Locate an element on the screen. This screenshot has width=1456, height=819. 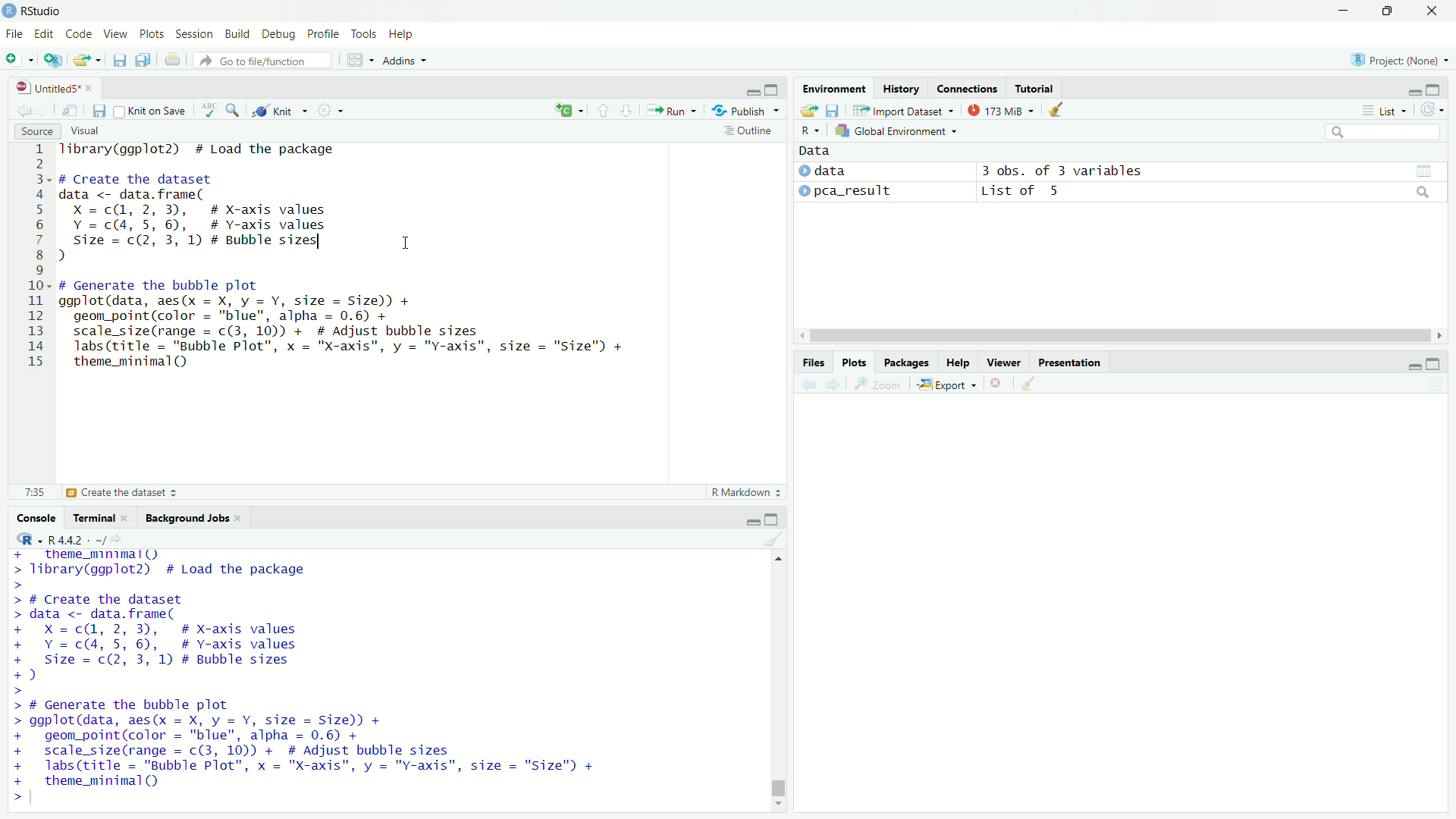
Tibrary(ggplot2) # Load the package

# Create the dataset

data <- data. frame(
X =c(@, 2, 3), # X-axis values
Y = c(4, 5, 6), # Y-axis values
size = c(2, 3, 1) # Bubble sizes

)

# Generate the bubble plot

ggplot(data, aes(x = X, y = Y, size = Size)) +
geom_point(color = "blue", alpha = 0.6) +
scale_size(range = c(3, 10)) + # Adjust bubble sizes
labs (title = "Bubble Plot", x = "X-axis", y = "Y-axis", size = "Size") +
theme_minimal () is located at coordinates (307, 677).